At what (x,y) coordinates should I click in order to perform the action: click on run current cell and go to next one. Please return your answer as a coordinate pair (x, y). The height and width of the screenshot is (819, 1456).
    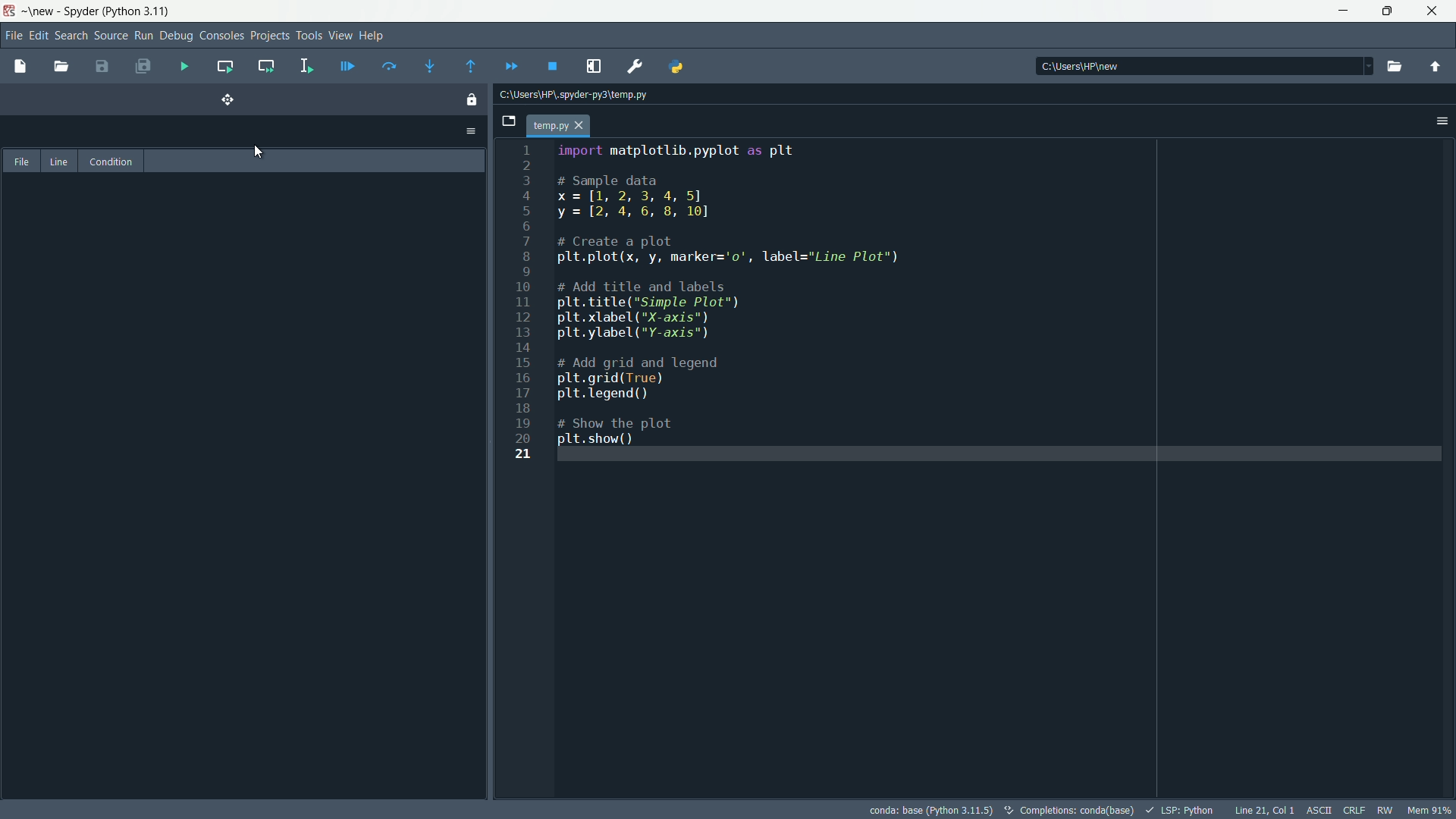
    Looking at the image, I should click on (264, 64).